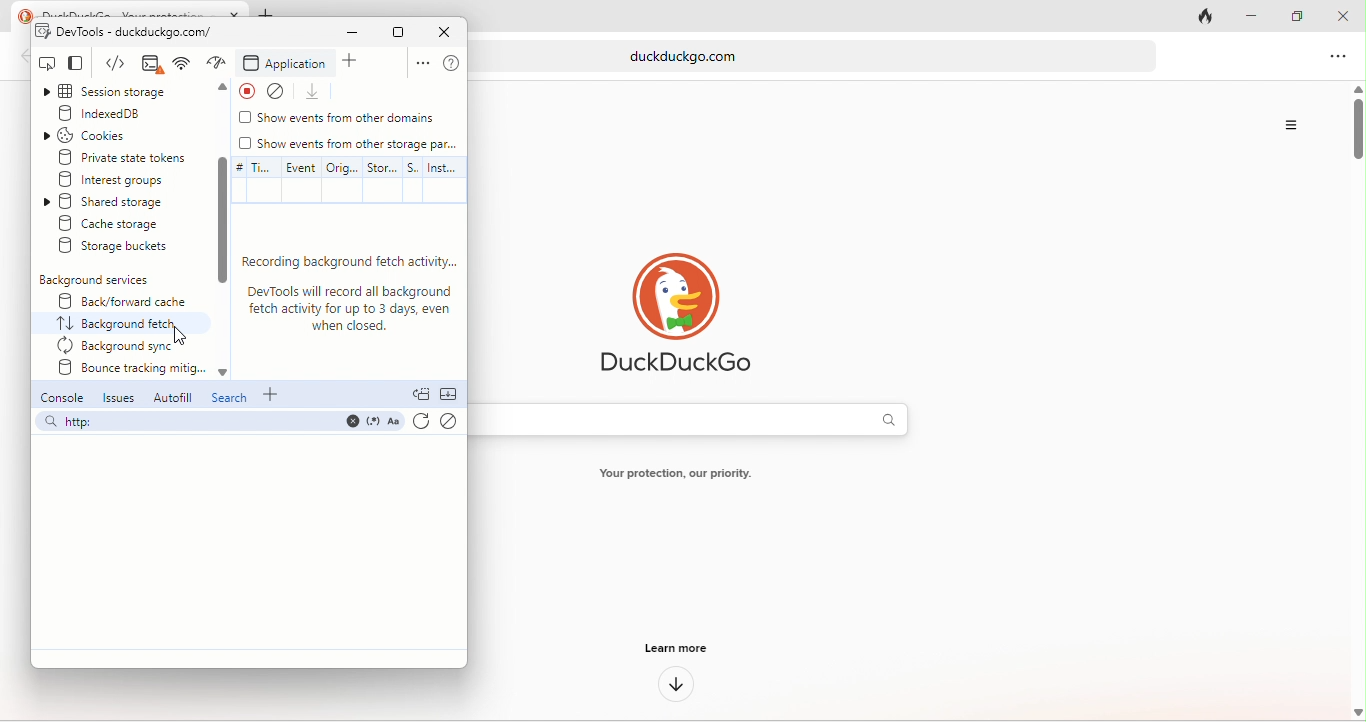 This screenshot has width=1366, height=722. Describe the element at coordinates (221, 221) in the screenshot. I see `scroll down` at that location.